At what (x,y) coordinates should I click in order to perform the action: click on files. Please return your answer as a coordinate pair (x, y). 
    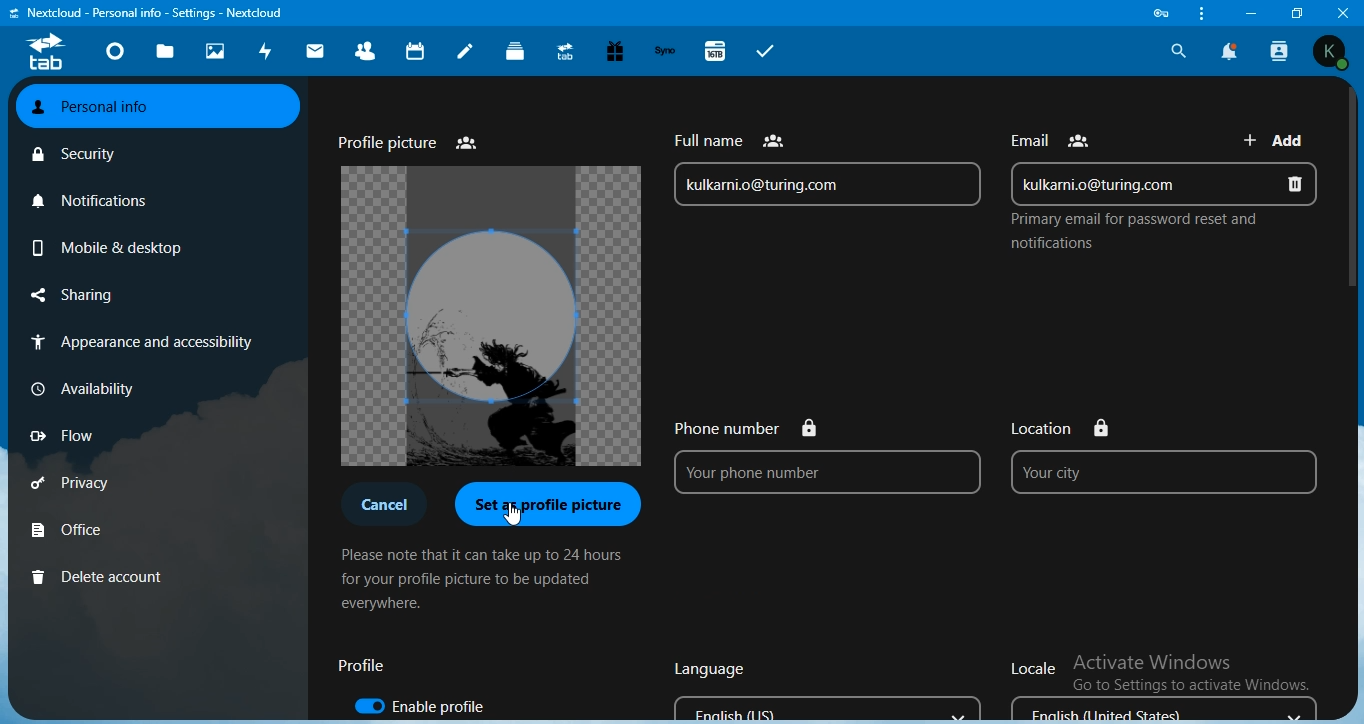
    Looking at the image, I should click on (165, 54).